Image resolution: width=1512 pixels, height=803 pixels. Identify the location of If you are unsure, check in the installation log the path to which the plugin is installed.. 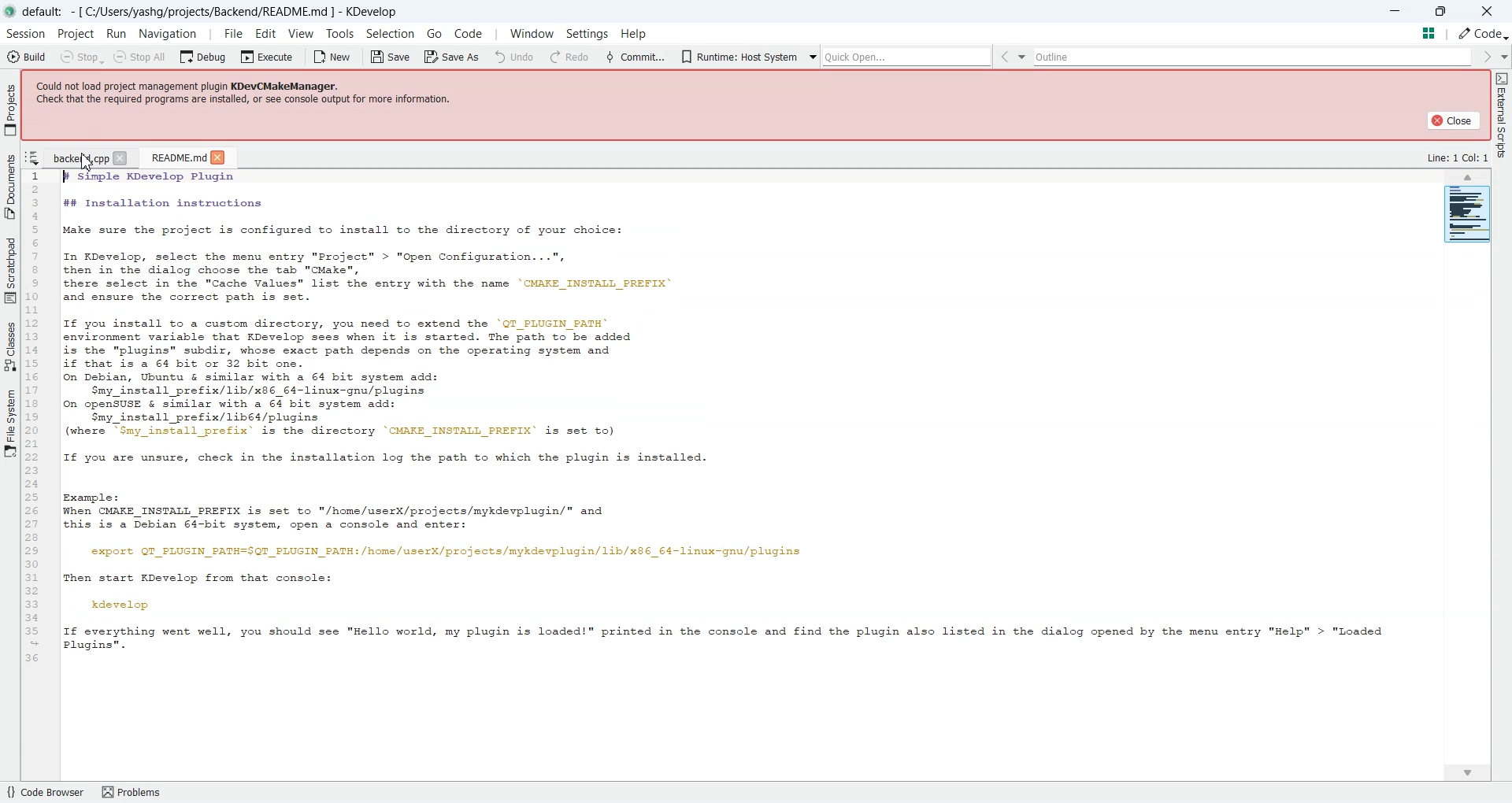
(376, 457).